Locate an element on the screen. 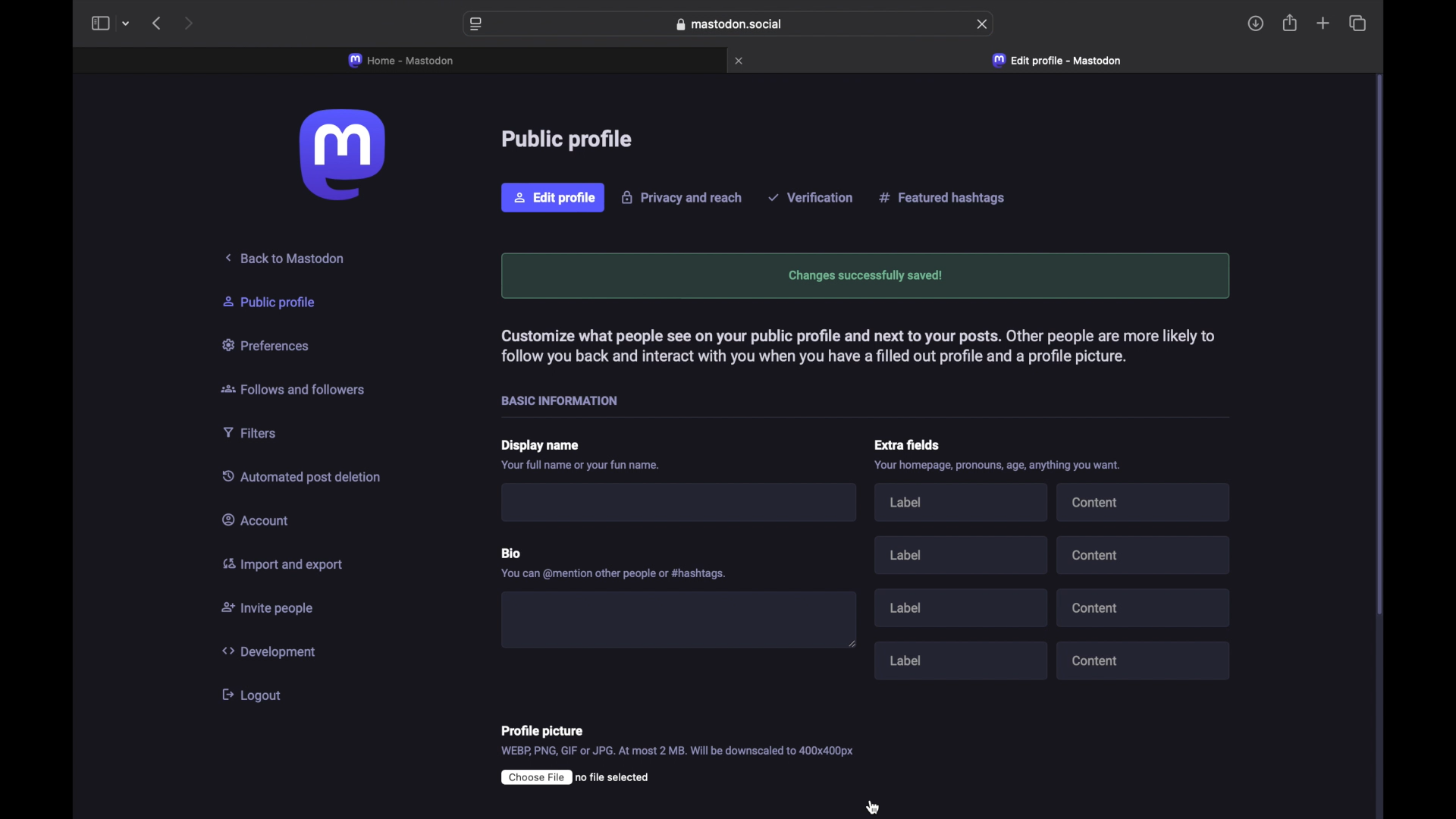 Image resolution: width=1456 pixels, height=819 pixels. cursor is located at coordinates (878, 806).